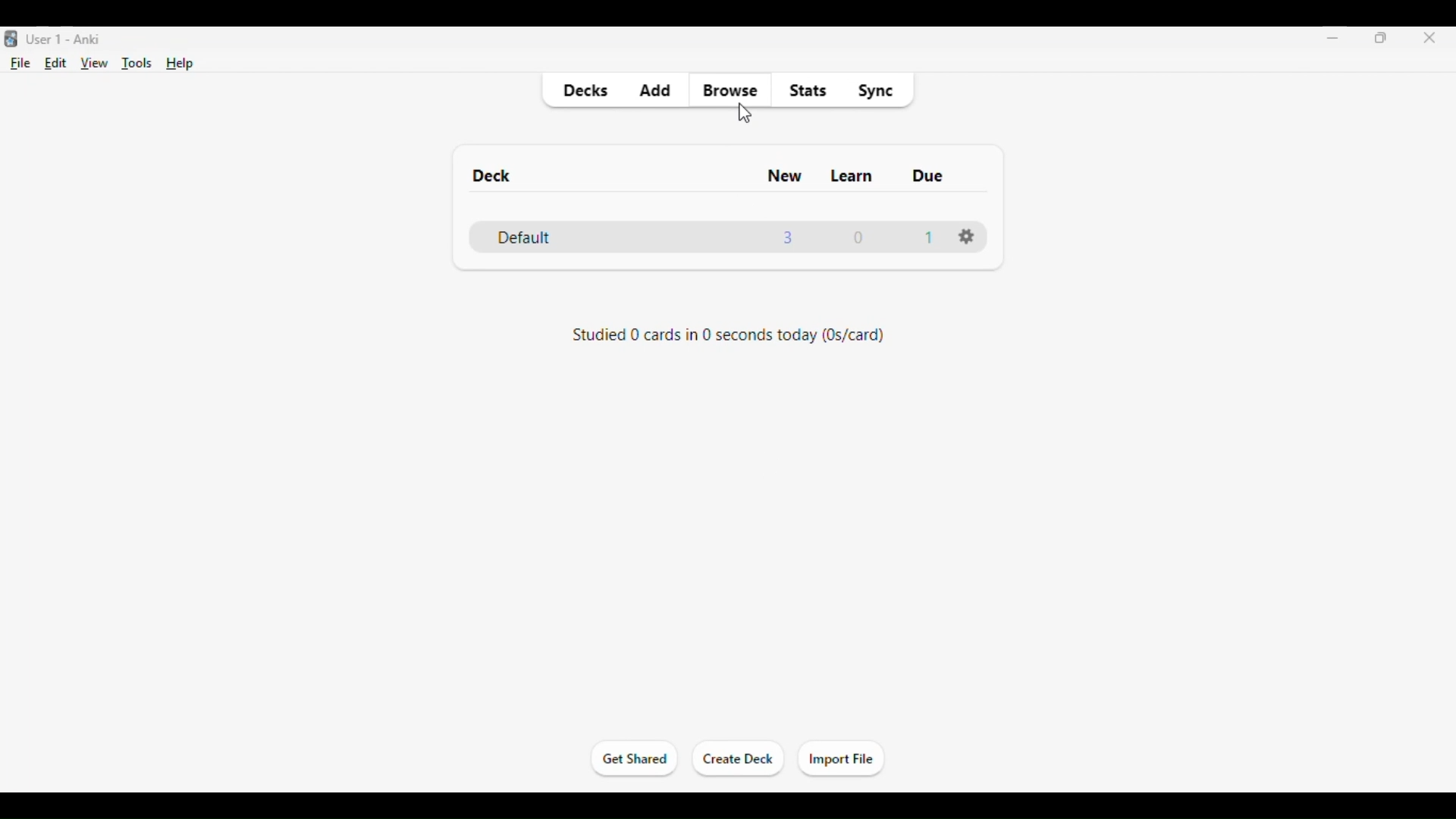 The width and height of the screenshot is (1456, 819). I want to click on decks, so click(584, 91).